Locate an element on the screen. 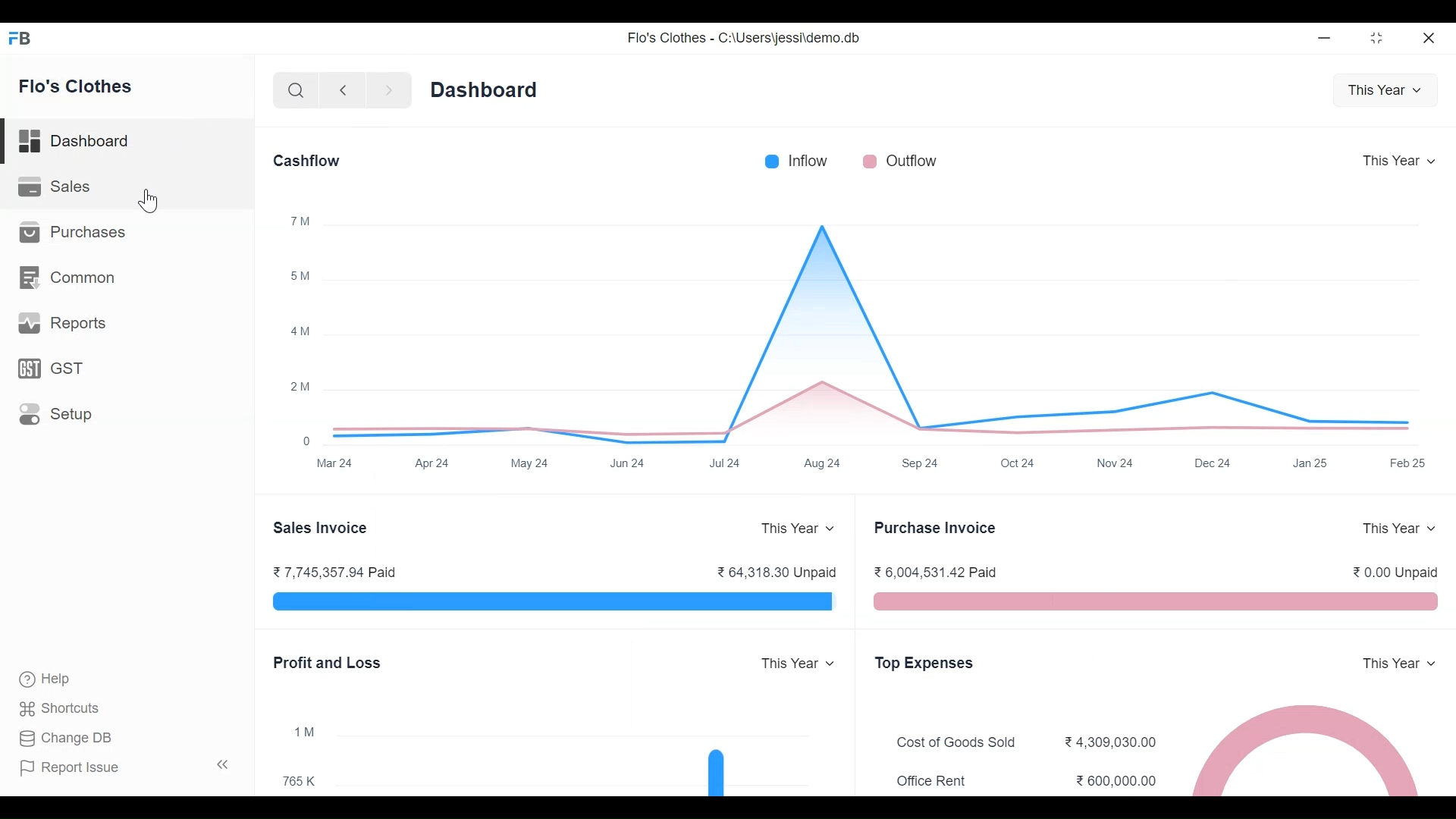  This Year is located at coordinates (1398, 664).